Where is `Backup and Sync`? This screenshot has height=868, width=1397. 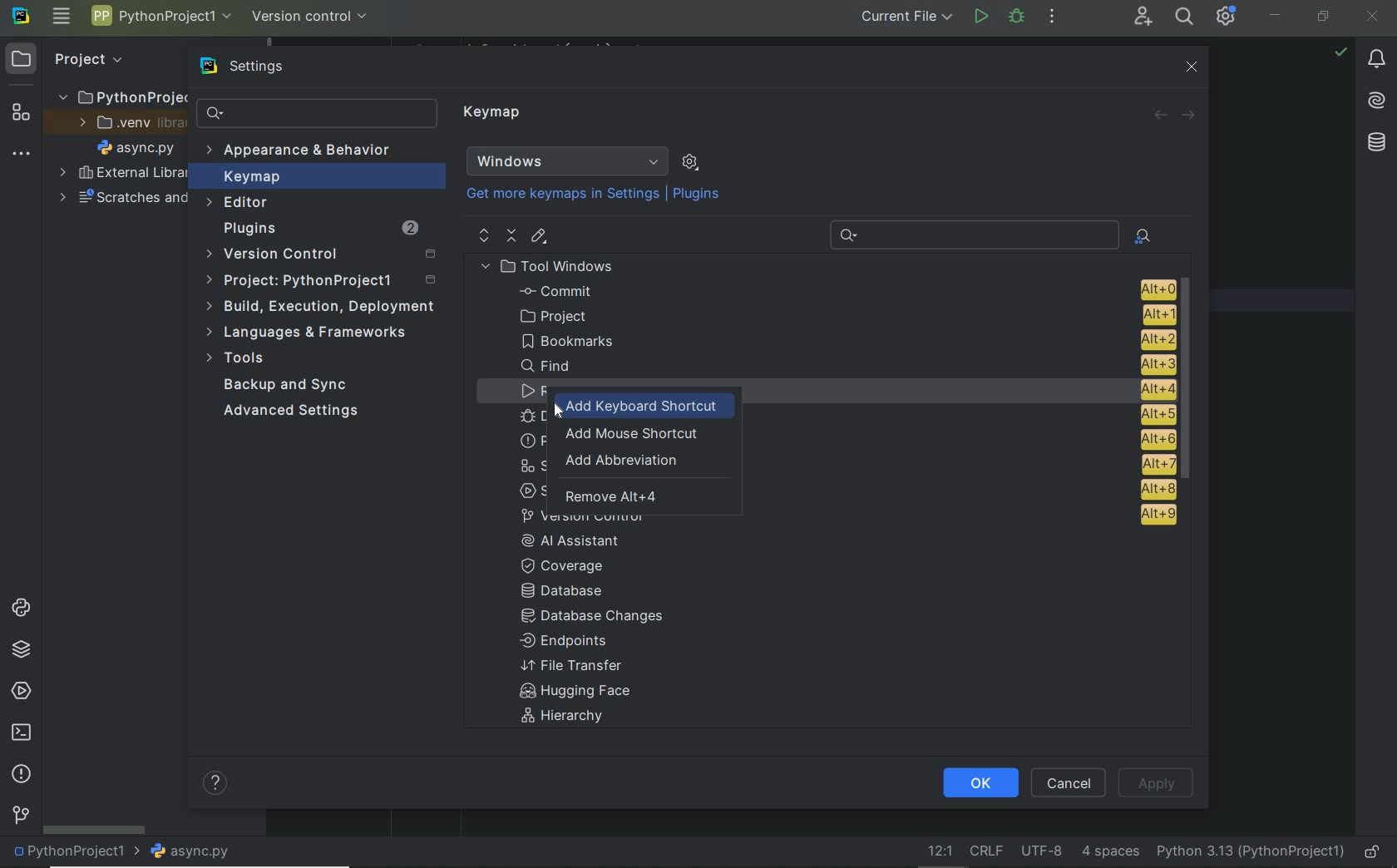
Backup and Sync is located at coordinates (287, 386).